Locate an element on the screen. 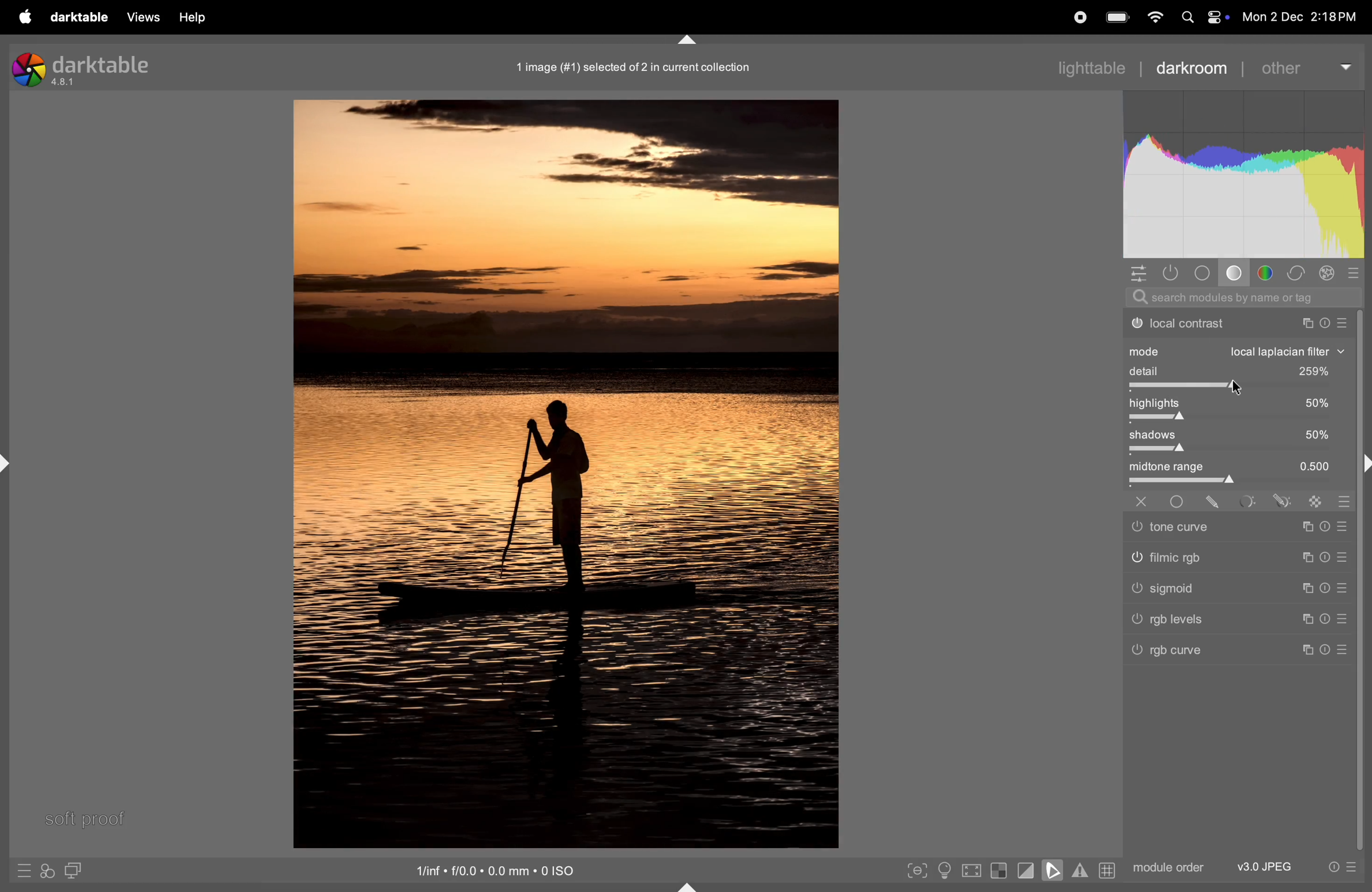  apple menu is located at coordinates (24, 16).